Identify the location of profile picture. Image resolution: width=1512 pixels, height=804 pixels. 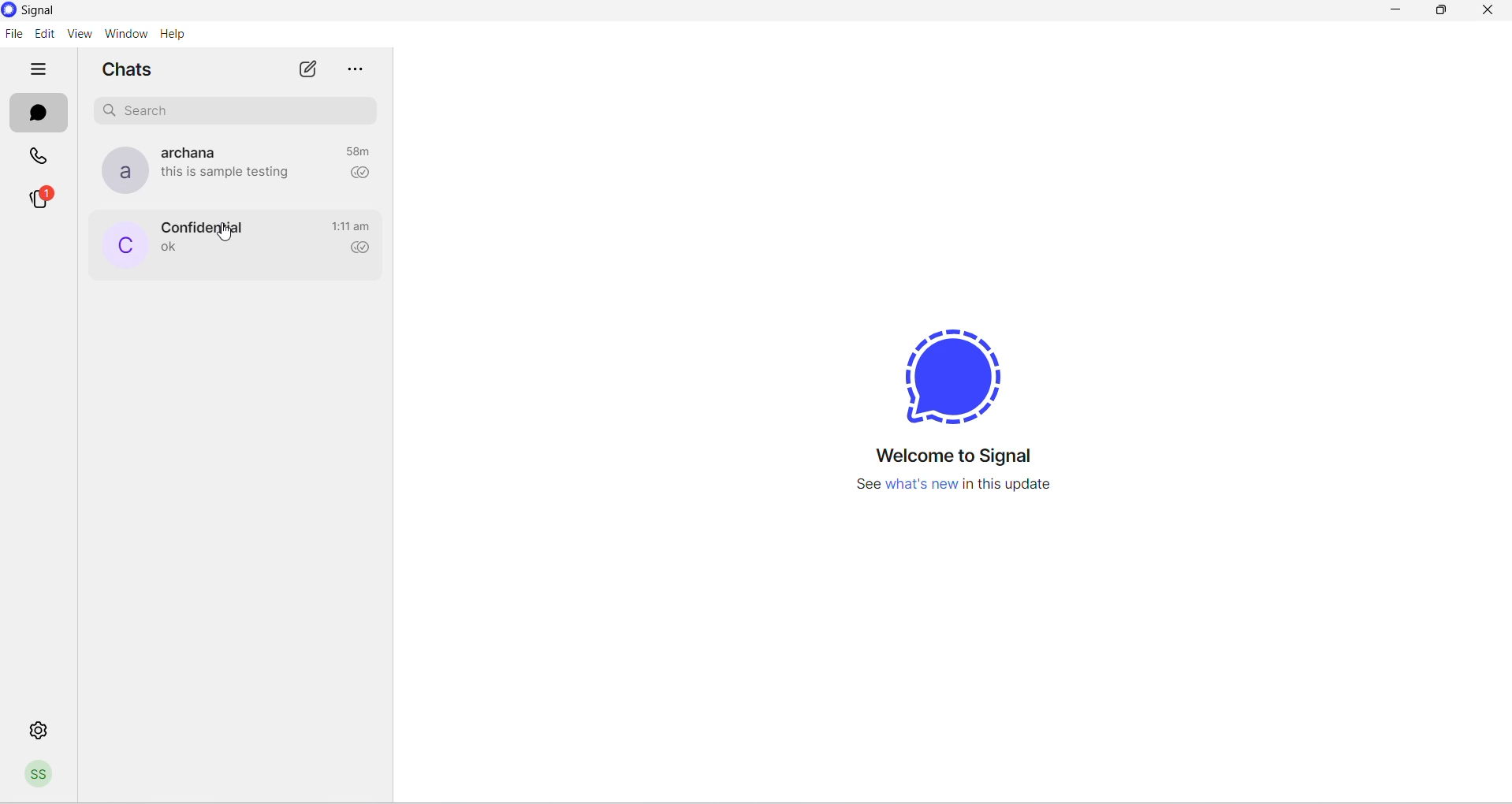
(43, 780).